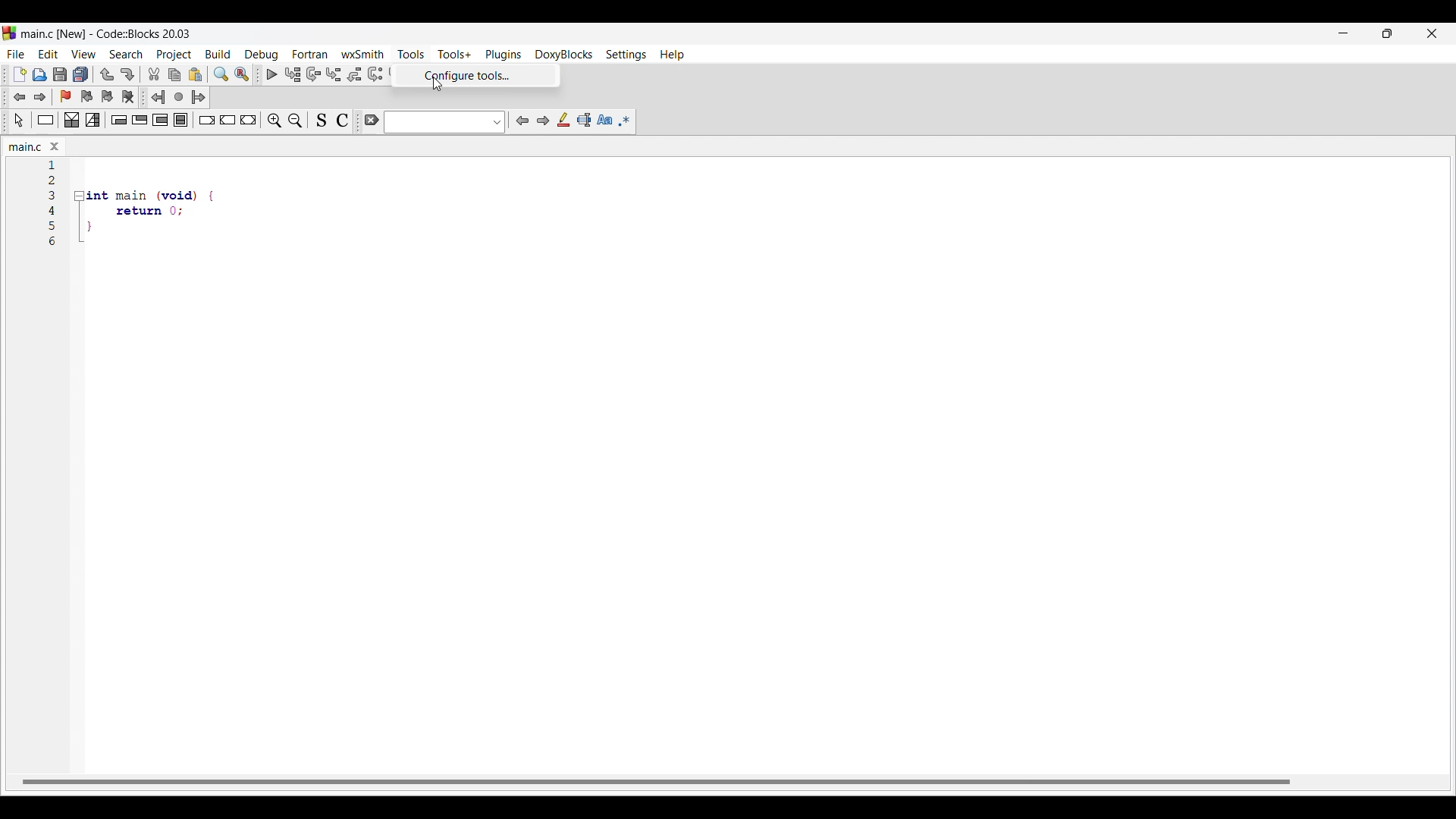 The height and width of the screenshot is (819, 1456). I want to click on Clear bookmarks, so click(128, 97).